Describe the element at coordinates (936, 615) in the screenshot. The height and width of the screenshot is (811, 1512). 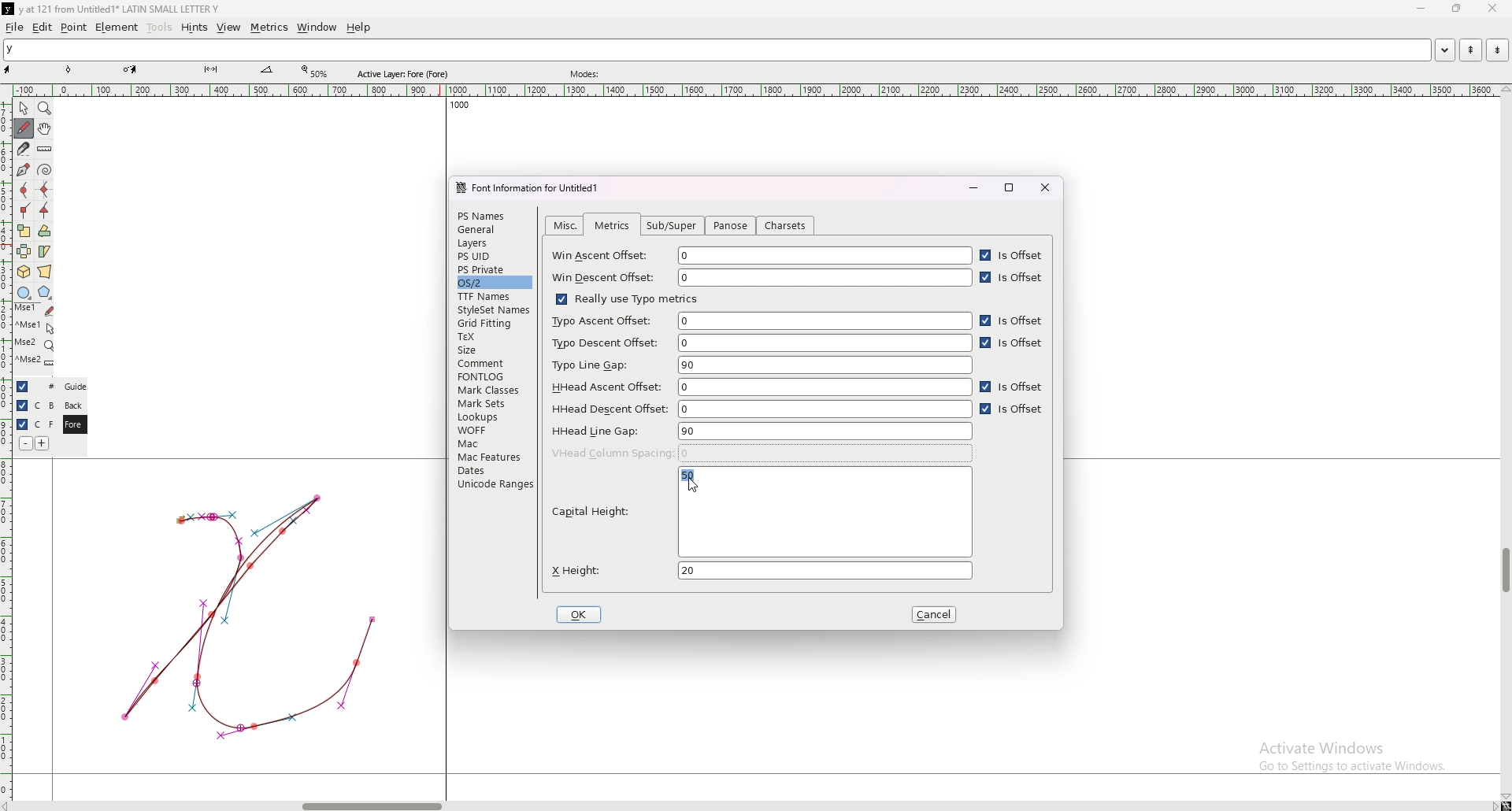
I see `cancel` at that location.